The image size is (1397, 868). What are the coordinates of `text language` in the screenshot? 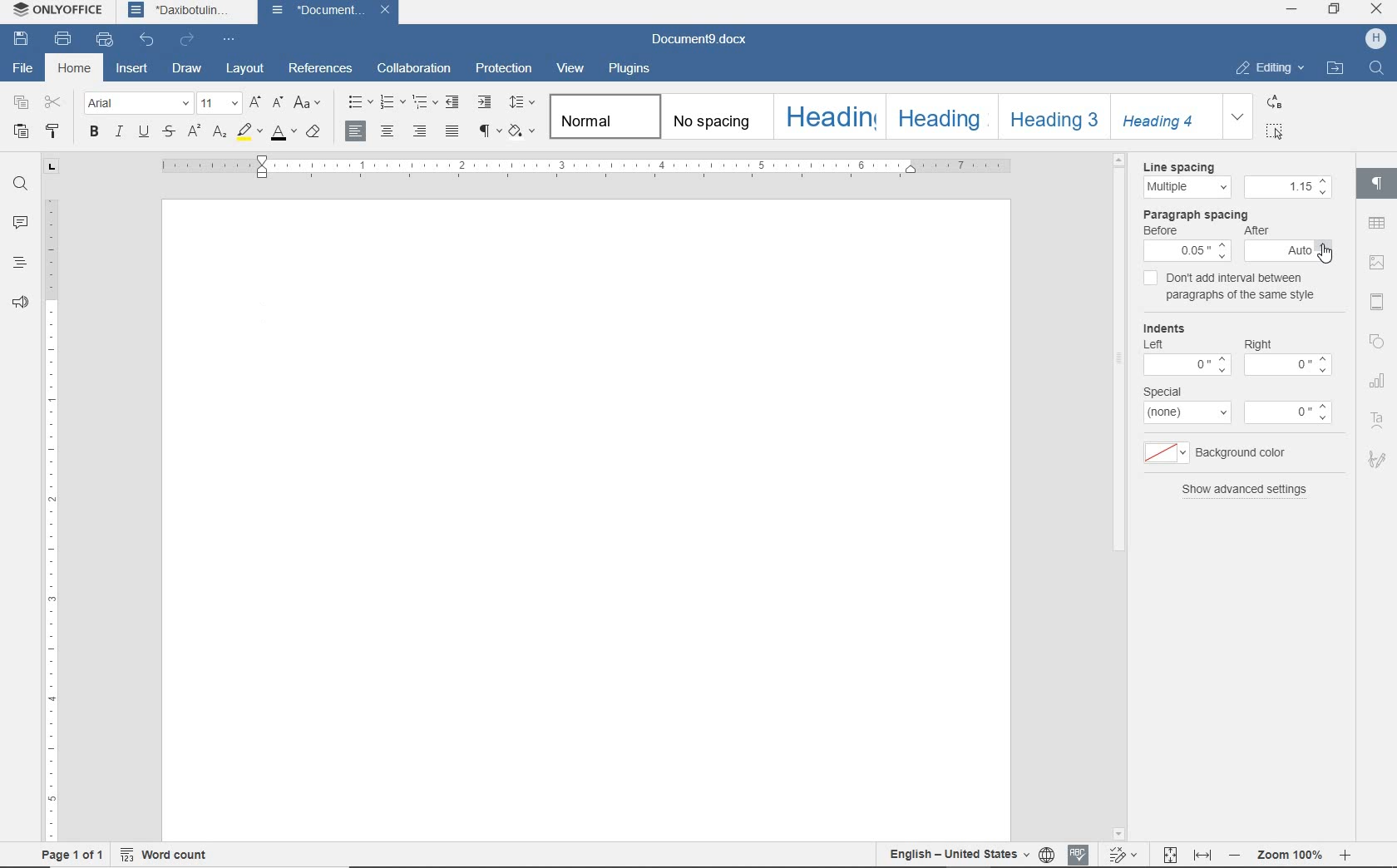 It's located at (955, 855).